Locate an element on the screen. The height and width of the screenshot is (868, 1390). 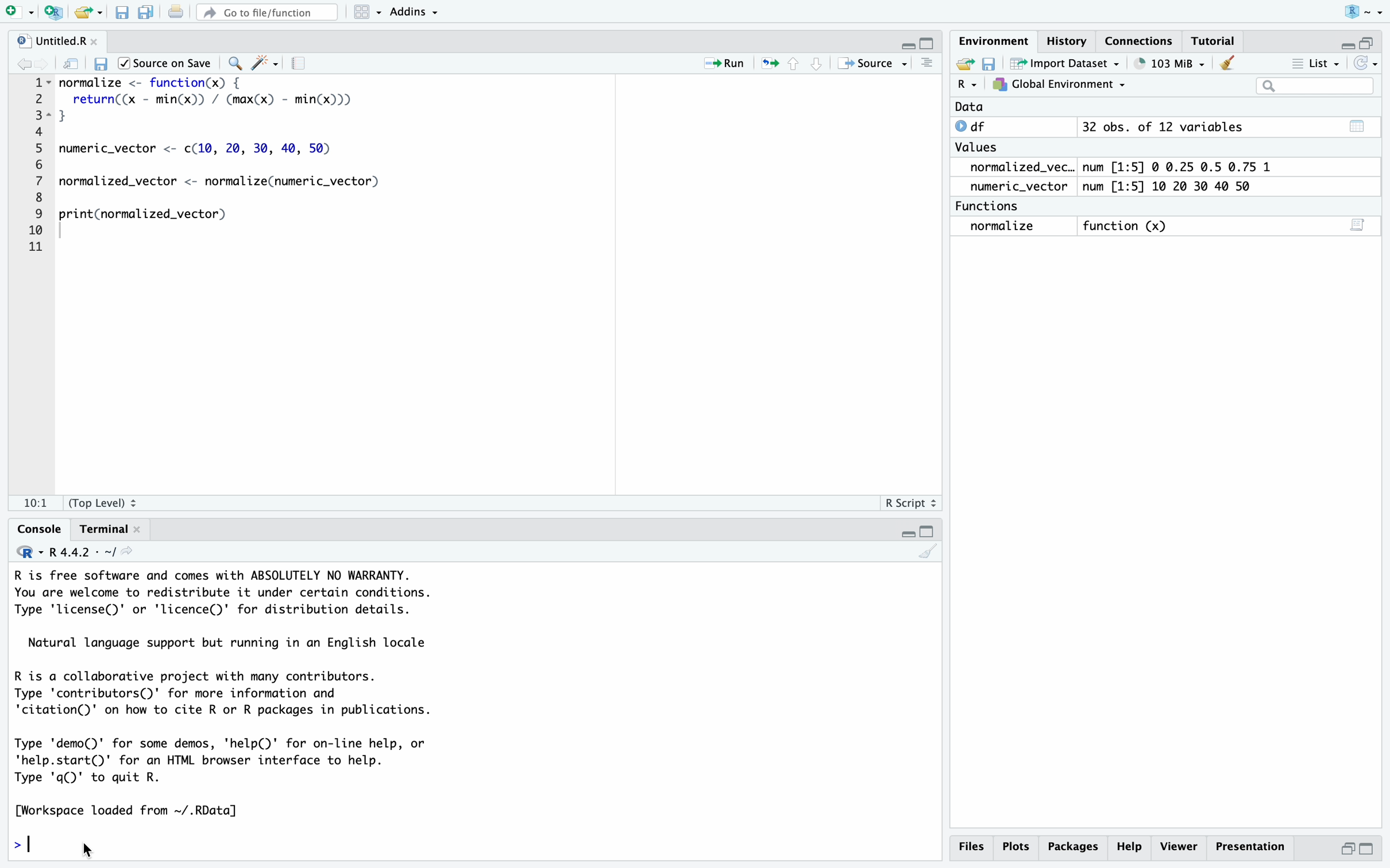
Addins is located at coordinates (421, 14).